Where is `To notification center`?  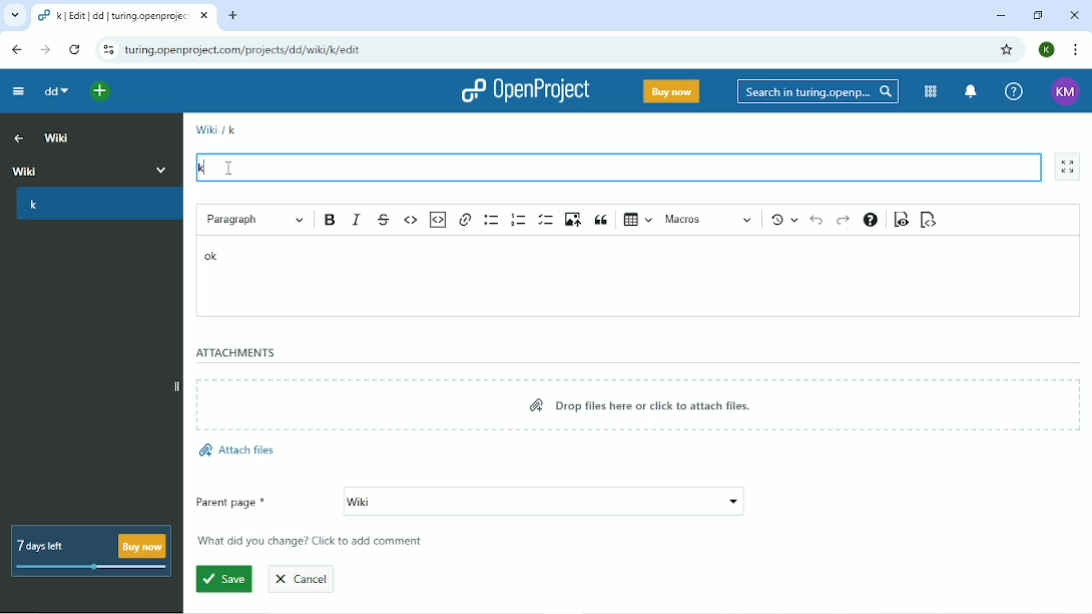
To notification center is located at coordinates (972, 91).